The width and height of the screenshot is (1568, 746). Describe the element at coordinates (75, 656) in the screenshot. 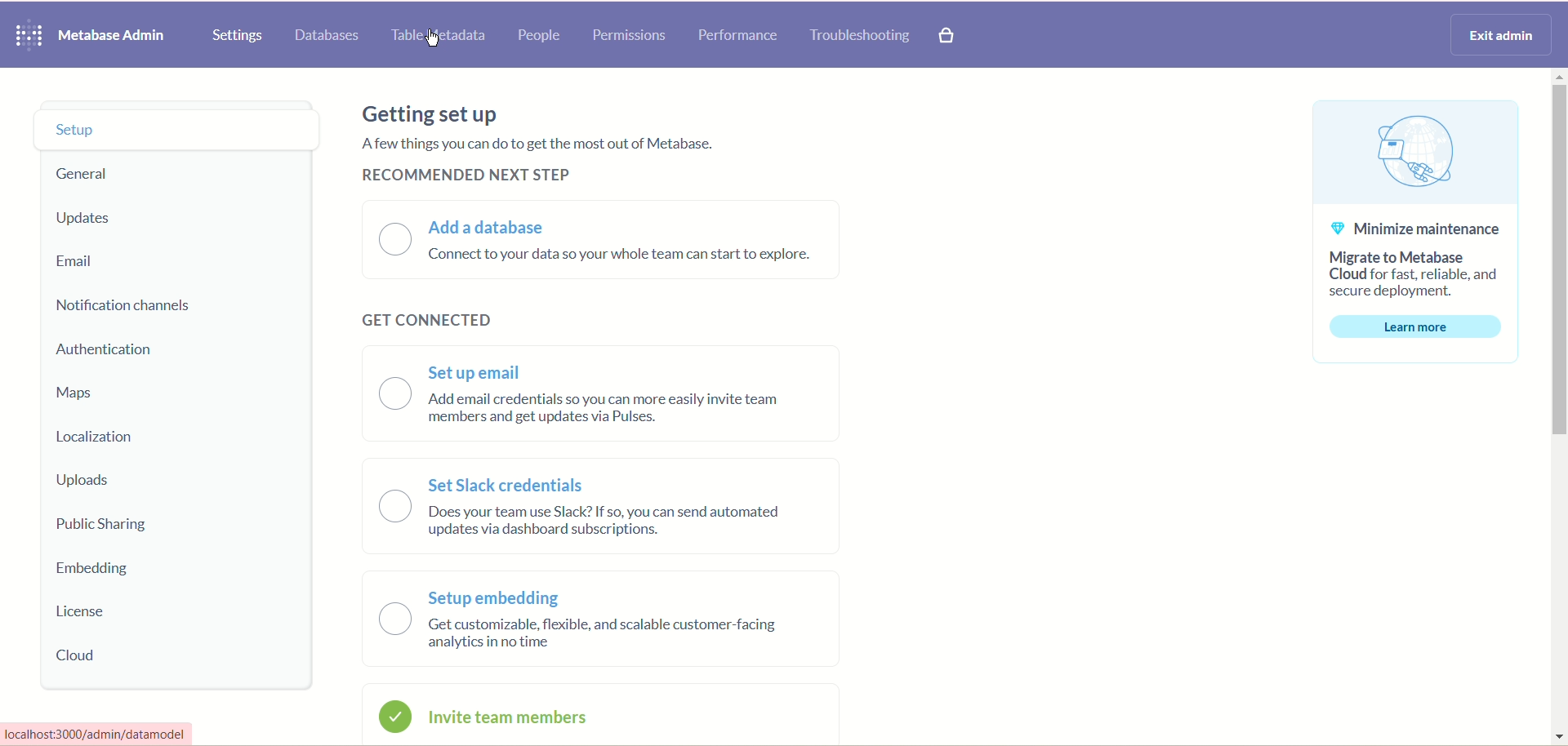

I see `cloud` at that location.